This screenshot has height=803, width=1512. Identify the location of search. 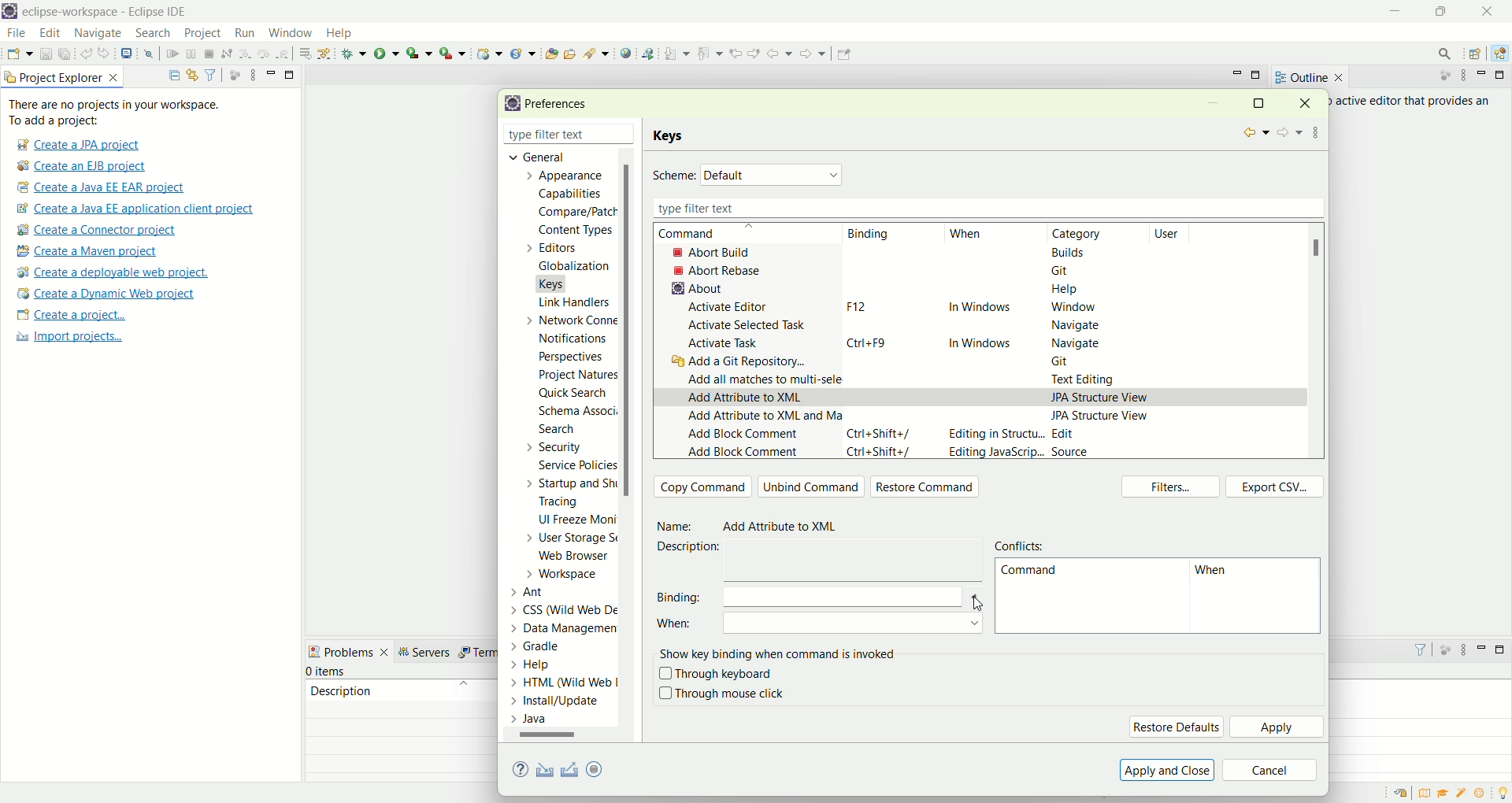
(557, 431).